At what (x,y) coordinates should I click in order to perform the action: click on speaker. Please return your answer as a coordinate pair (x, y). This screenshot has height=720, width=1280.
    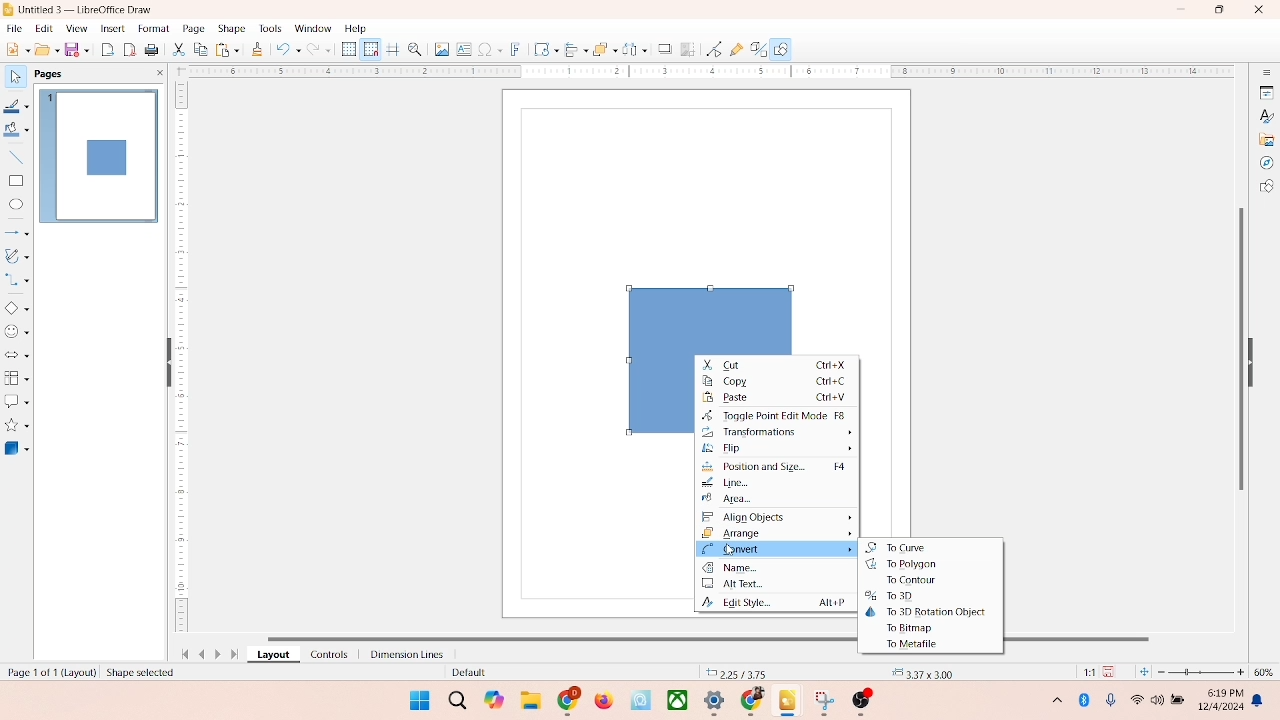
    Looking at the image, I should click on (1160, 700).